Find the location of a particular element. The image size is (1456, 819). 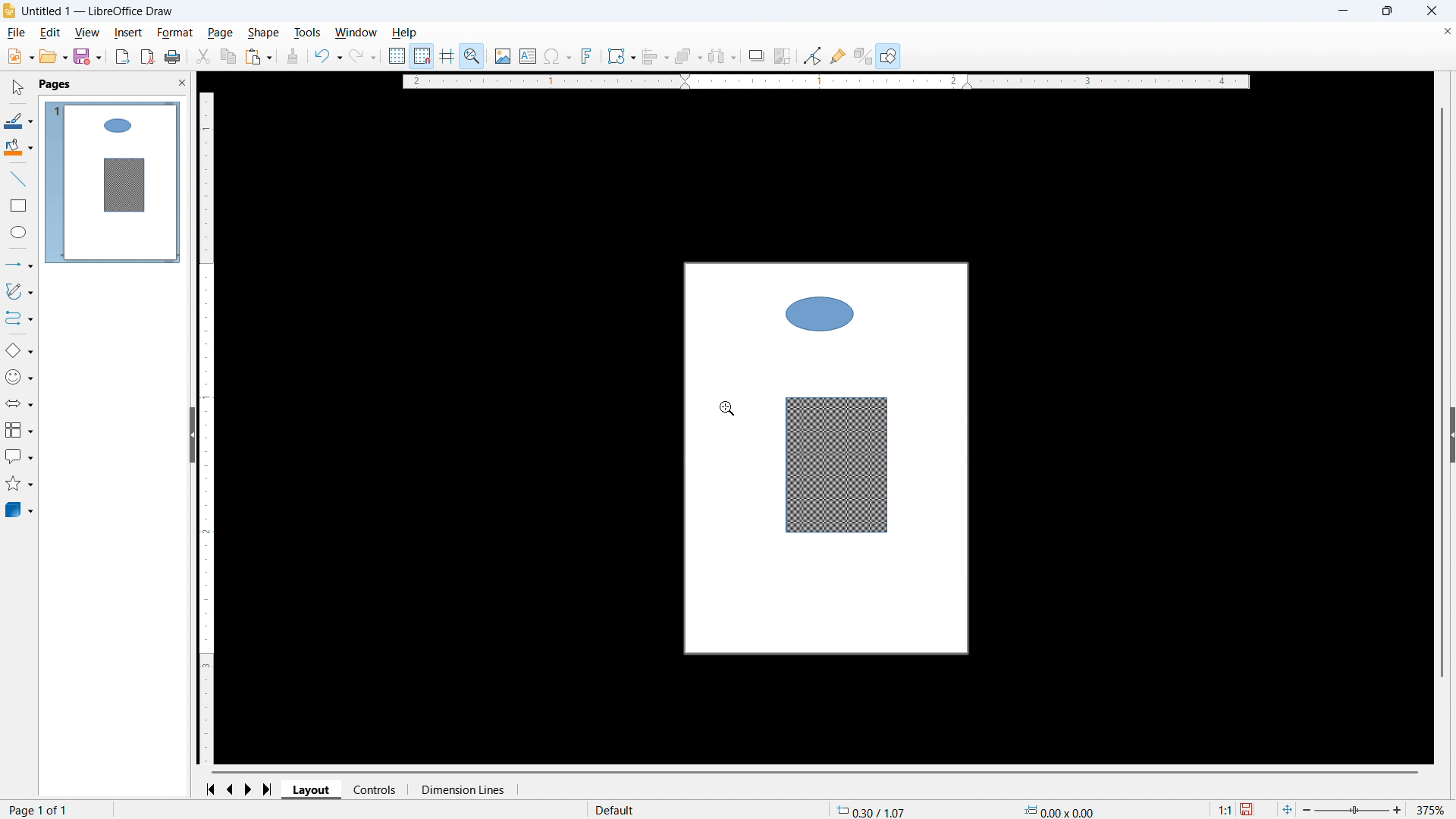

file  is located at coordinates (17, 33).